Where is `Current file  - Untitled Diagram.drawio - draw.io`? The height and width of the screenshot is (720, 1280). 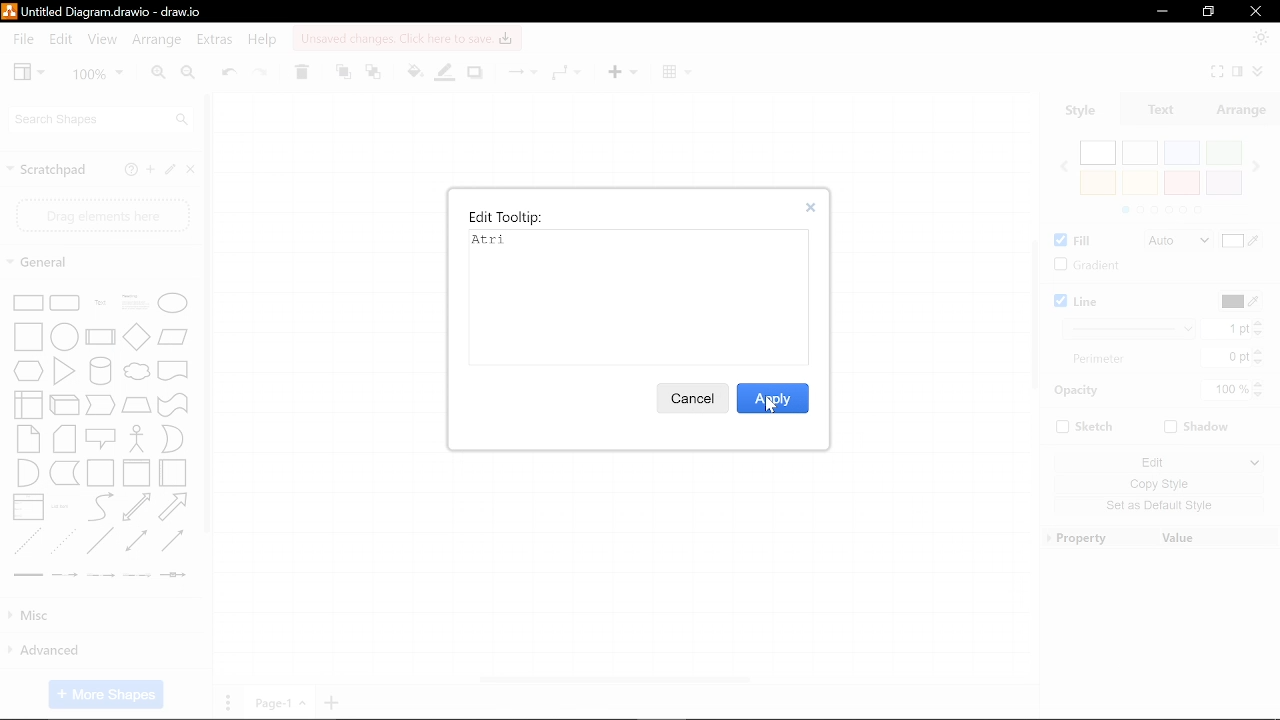 Current file  - Untitled Diagram.drawio - draw.io is located at coordinates (109, 11).